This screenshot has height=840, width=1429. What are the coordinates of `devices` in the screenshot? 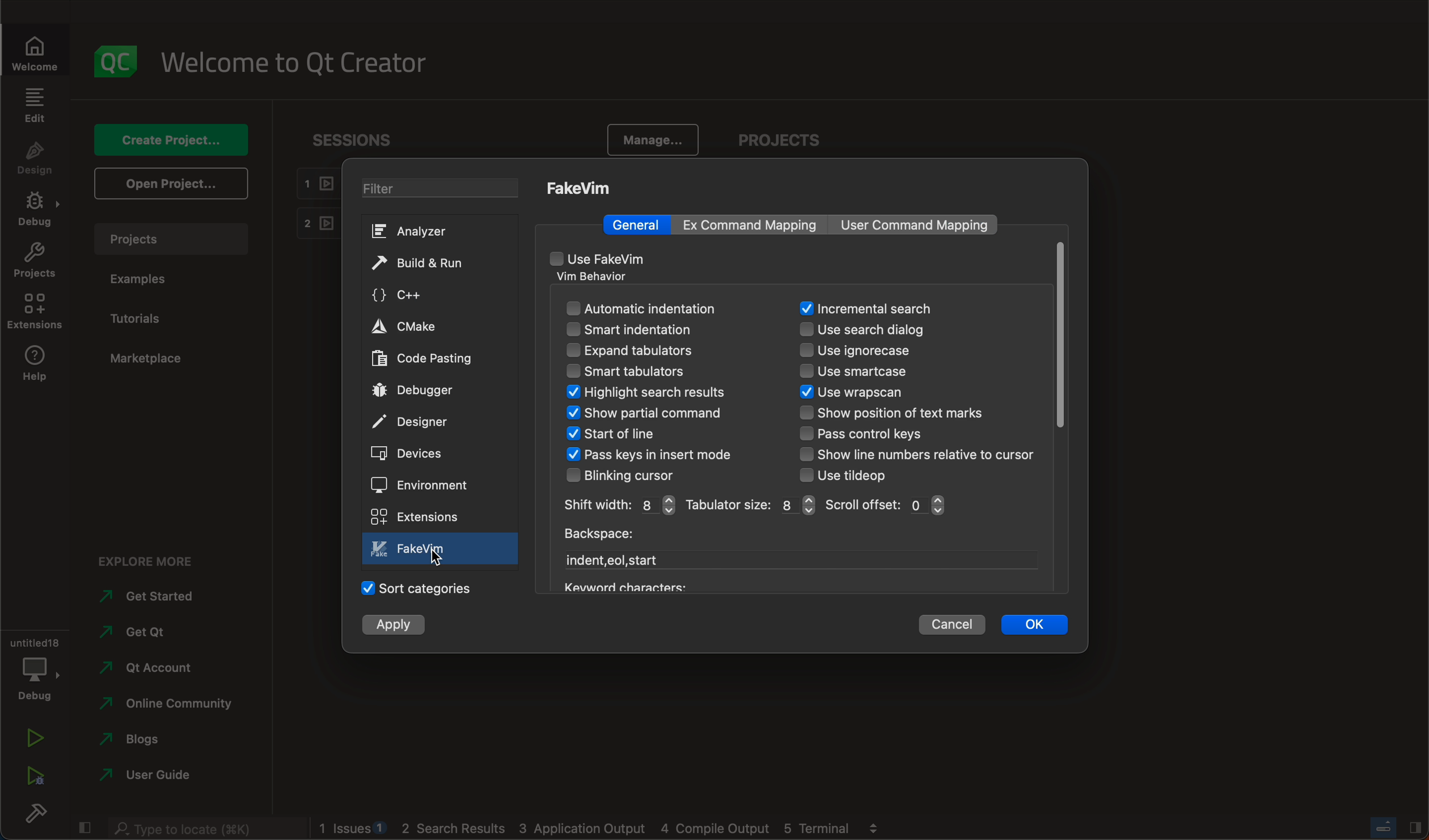 It's located at (413, 455).